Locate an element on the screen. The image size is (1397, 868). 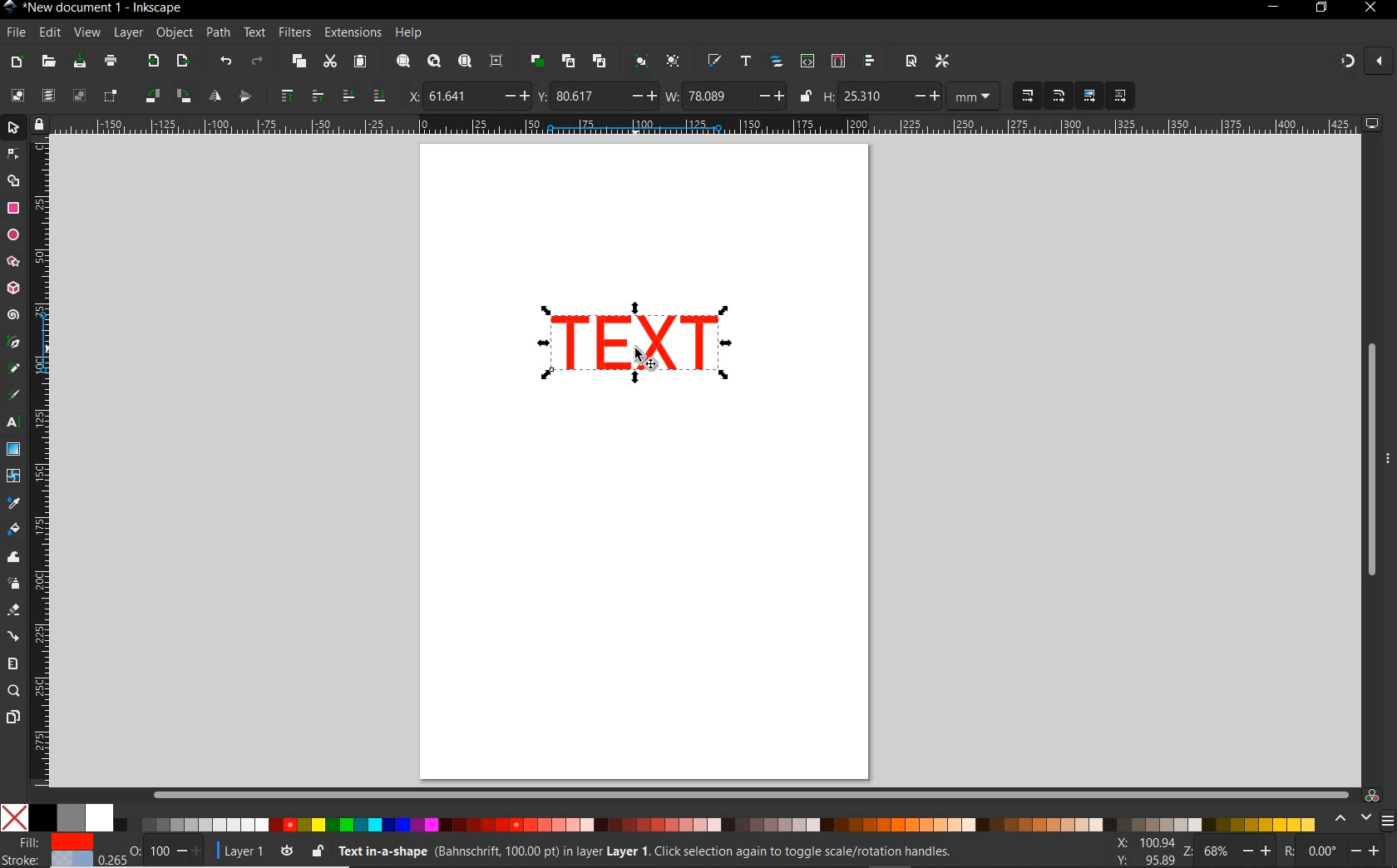
MOVE PATTERNS is located at coordinates (1119, 96).